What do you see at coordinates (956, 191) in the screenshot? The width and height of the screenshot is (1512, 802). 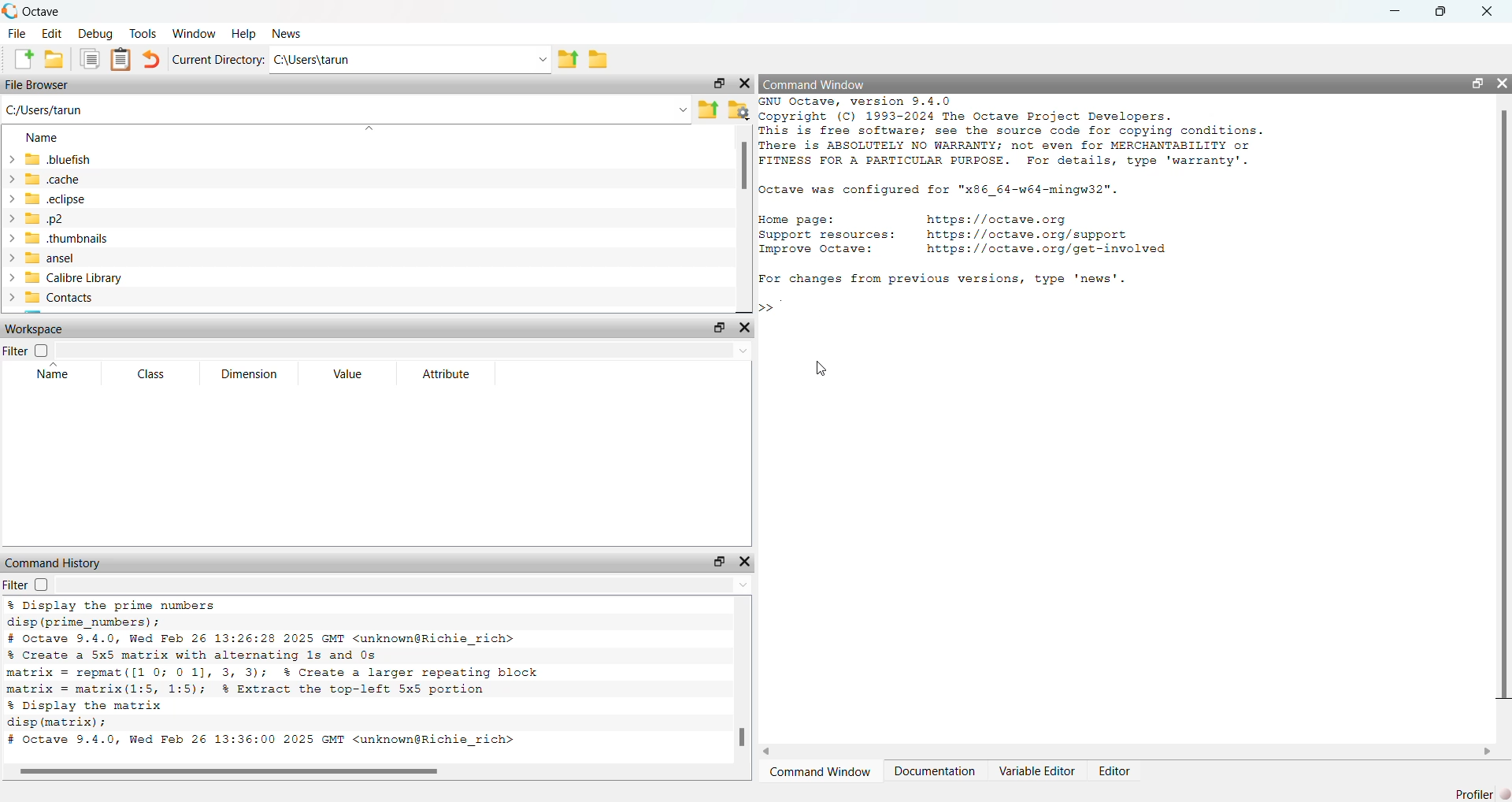 I see `octave configuration` at bounding box center [956, 191].